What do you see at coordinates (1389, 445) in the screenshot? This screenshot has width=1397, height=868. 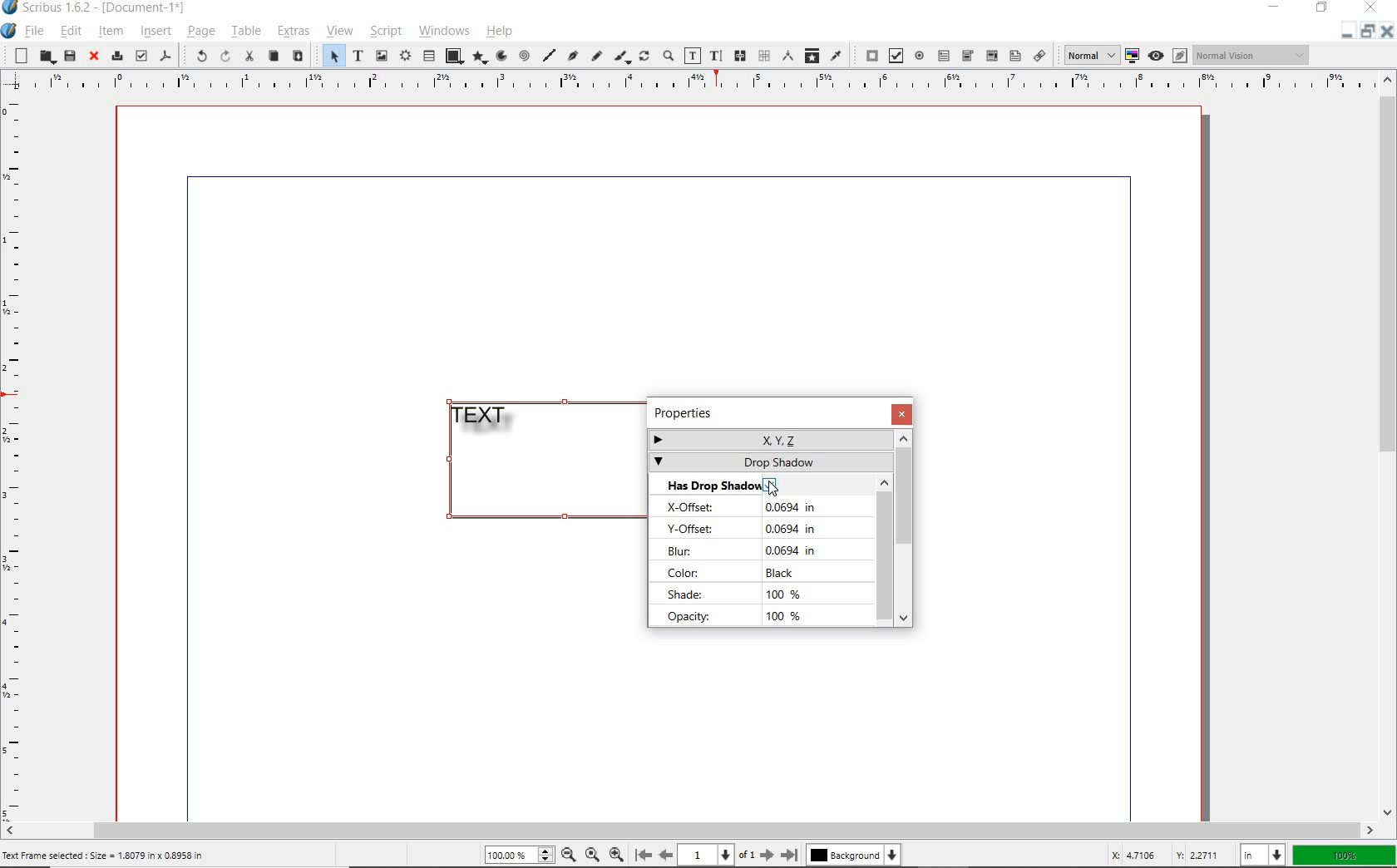 I see `scrollbar` at bounding box center [1389, 445].